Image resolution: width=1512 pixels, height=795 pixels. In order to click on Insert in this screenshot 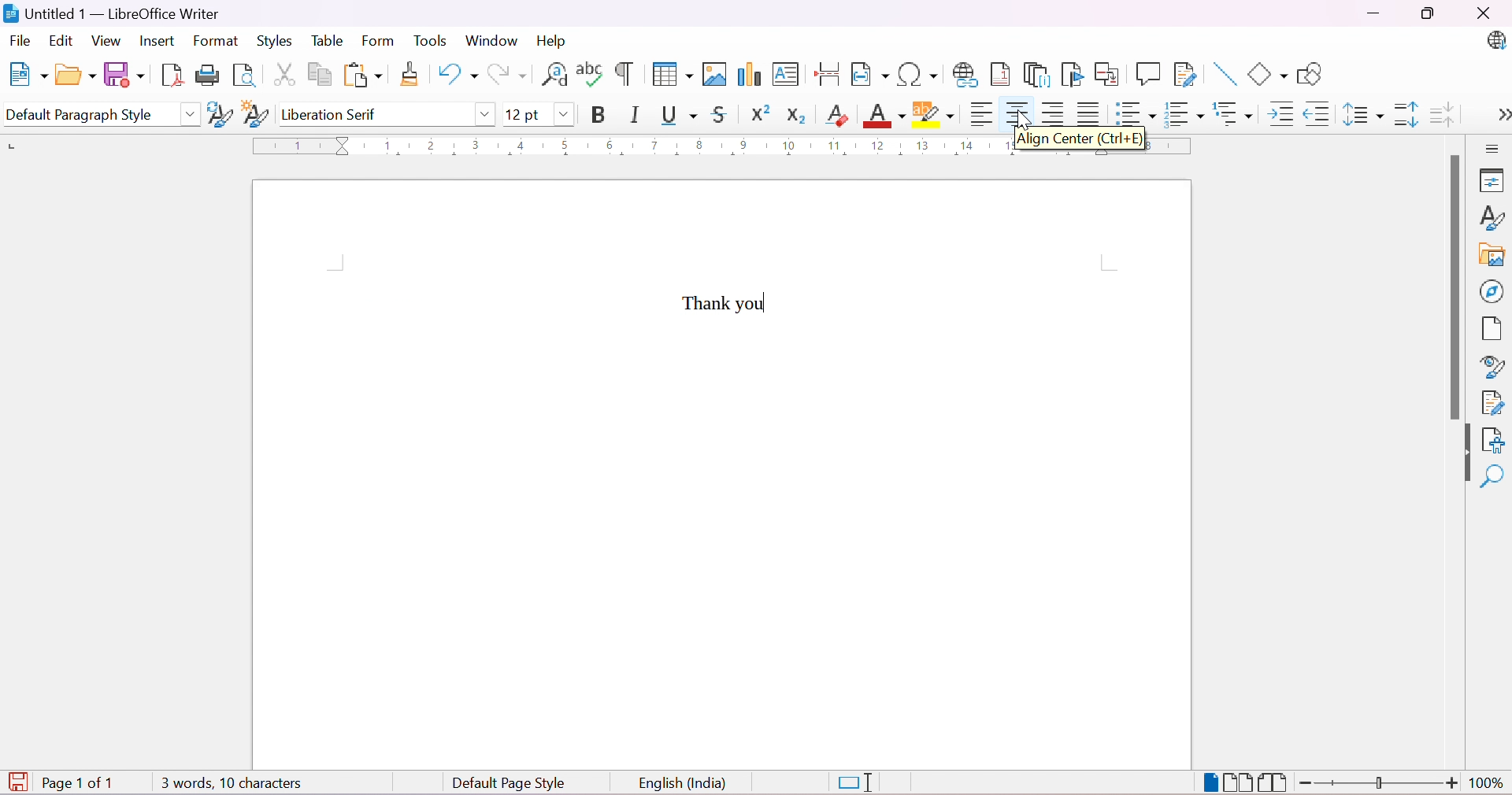, I will do `click(159, 42)`.